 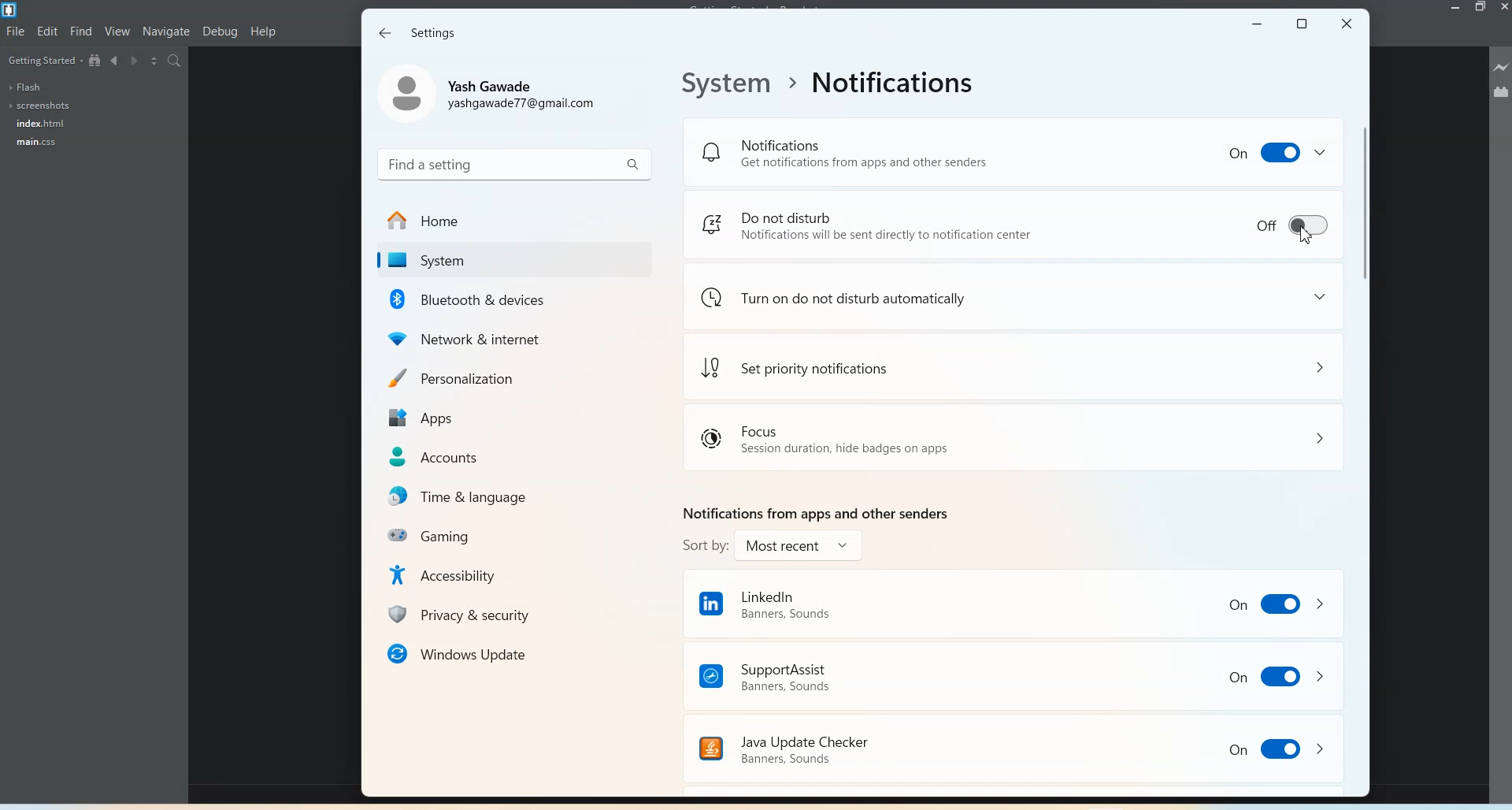 I want to click on Gaming, so click(x=510, y=535).